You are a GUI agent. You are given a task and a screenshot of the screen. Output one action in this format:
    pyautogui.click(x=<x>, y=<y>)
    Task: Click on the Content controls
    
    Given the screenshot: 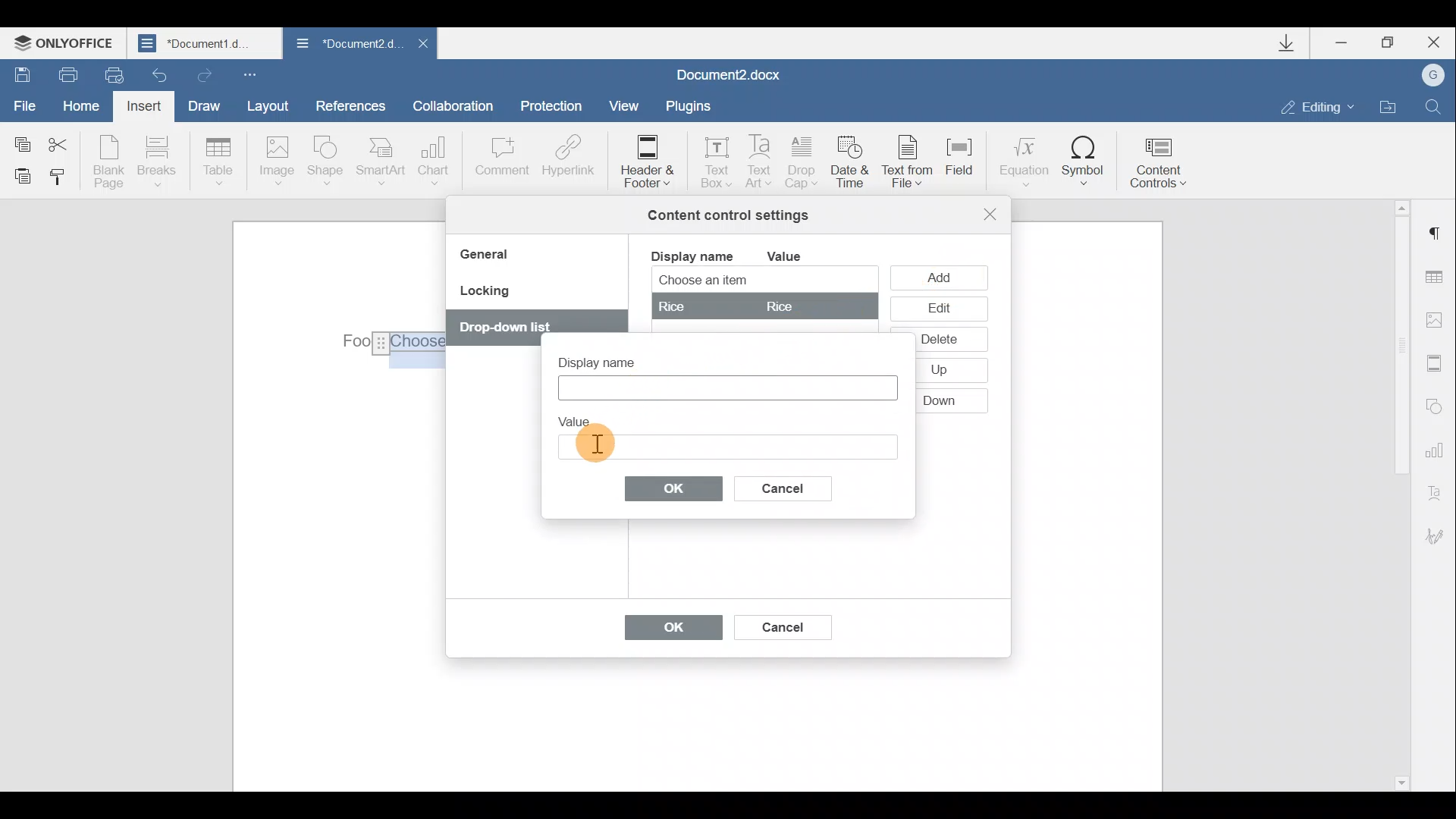 What is the action you would take?
    pyautogui.click(x=1164, y=158)
    